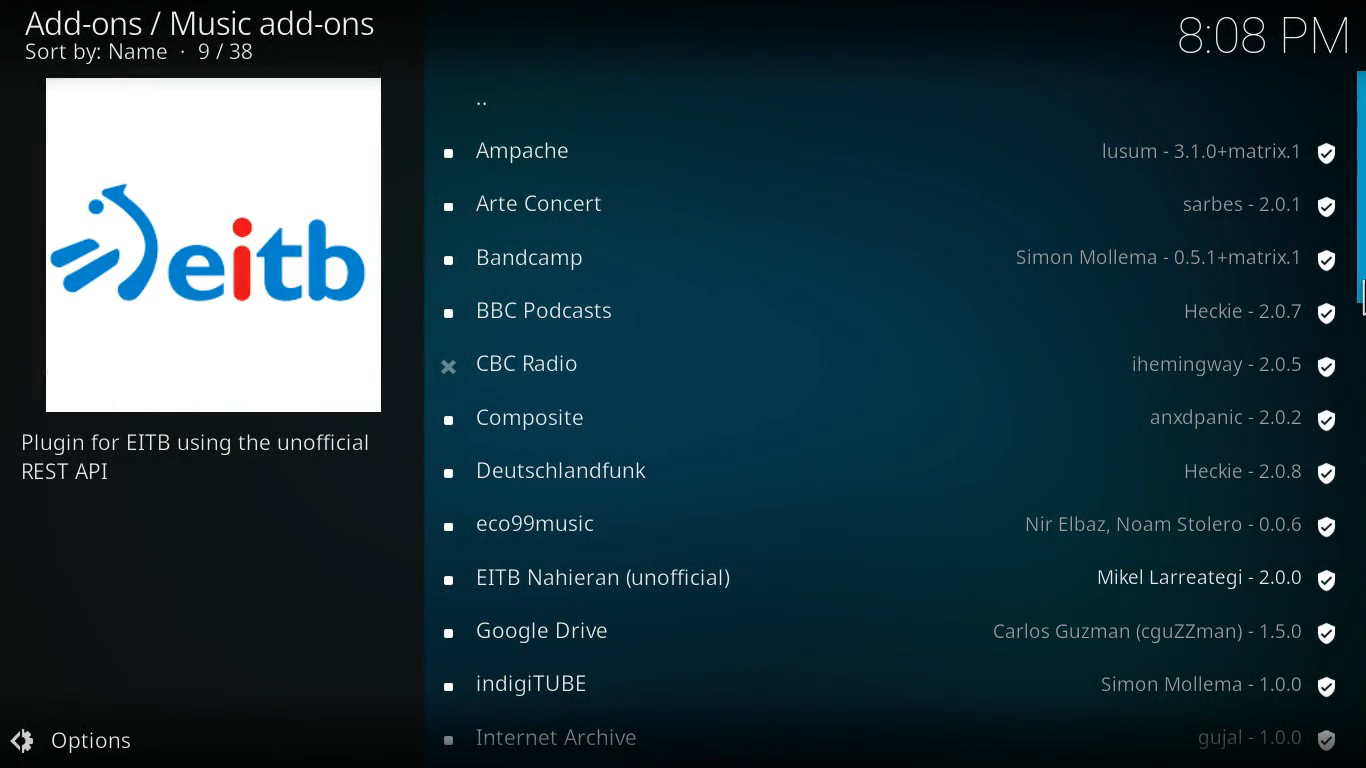 The width and height of the screenshot is (1366, 768). Describe the element at coordinates (1264, 473) in the screenshot. I see `provide` at that location.